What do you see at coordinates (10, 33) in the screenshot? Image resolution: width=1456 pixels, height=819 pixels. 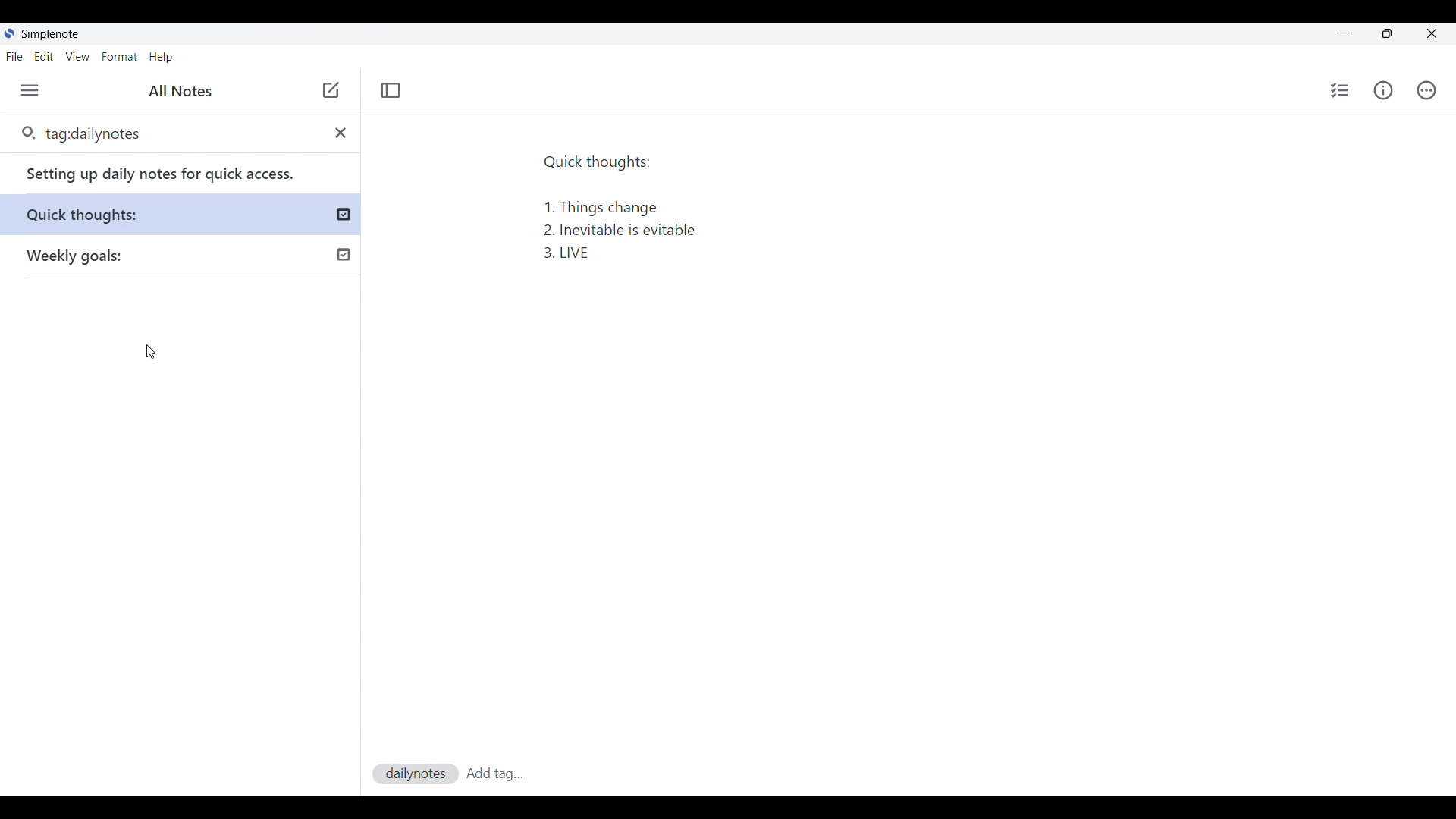 I see `Software logo` at bounding box center [10, 33].